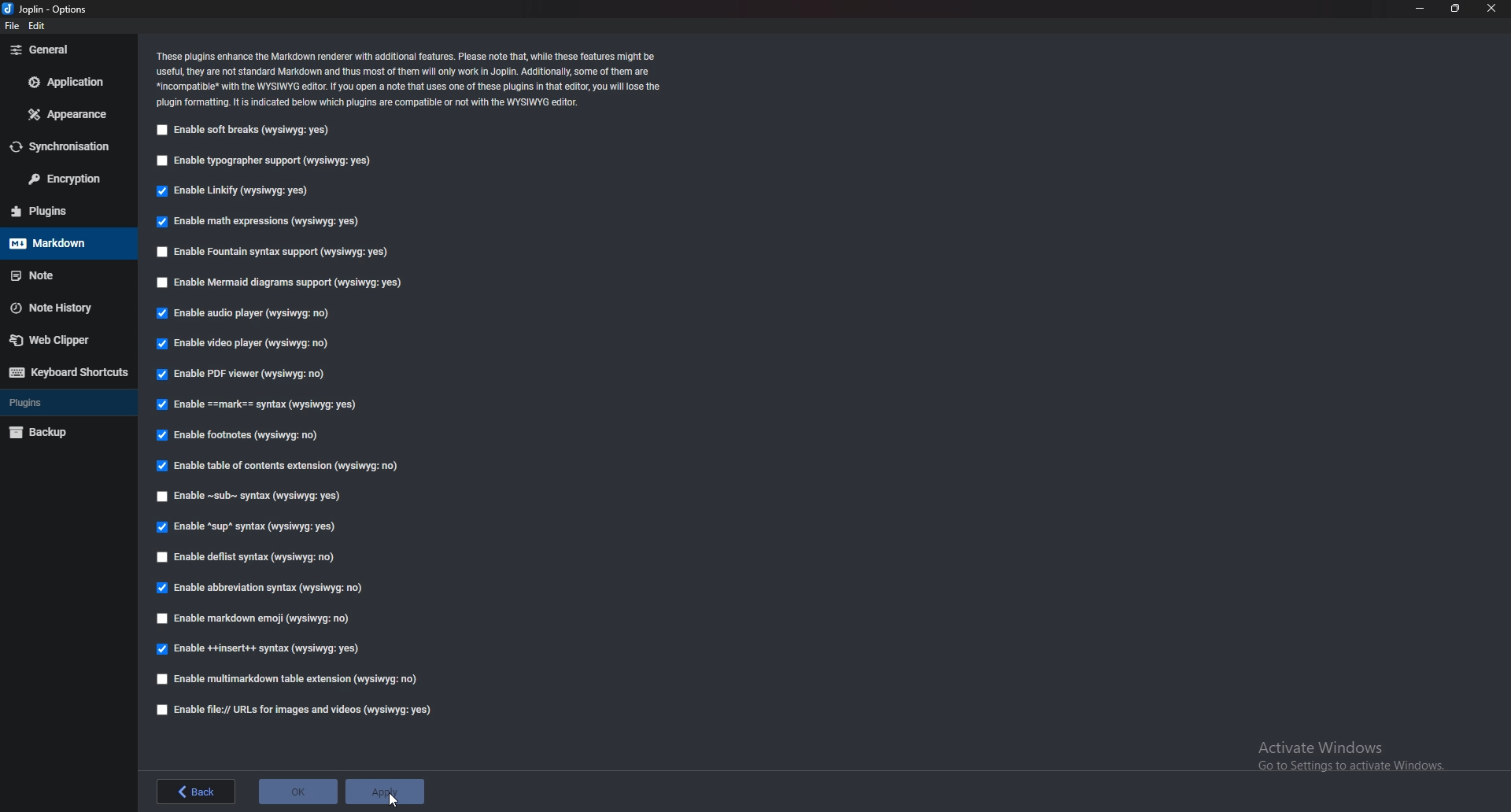  What do you see at coordinates (60, 212) in the screenshot?
I see `Plugins` at bounding box center [60, 212].